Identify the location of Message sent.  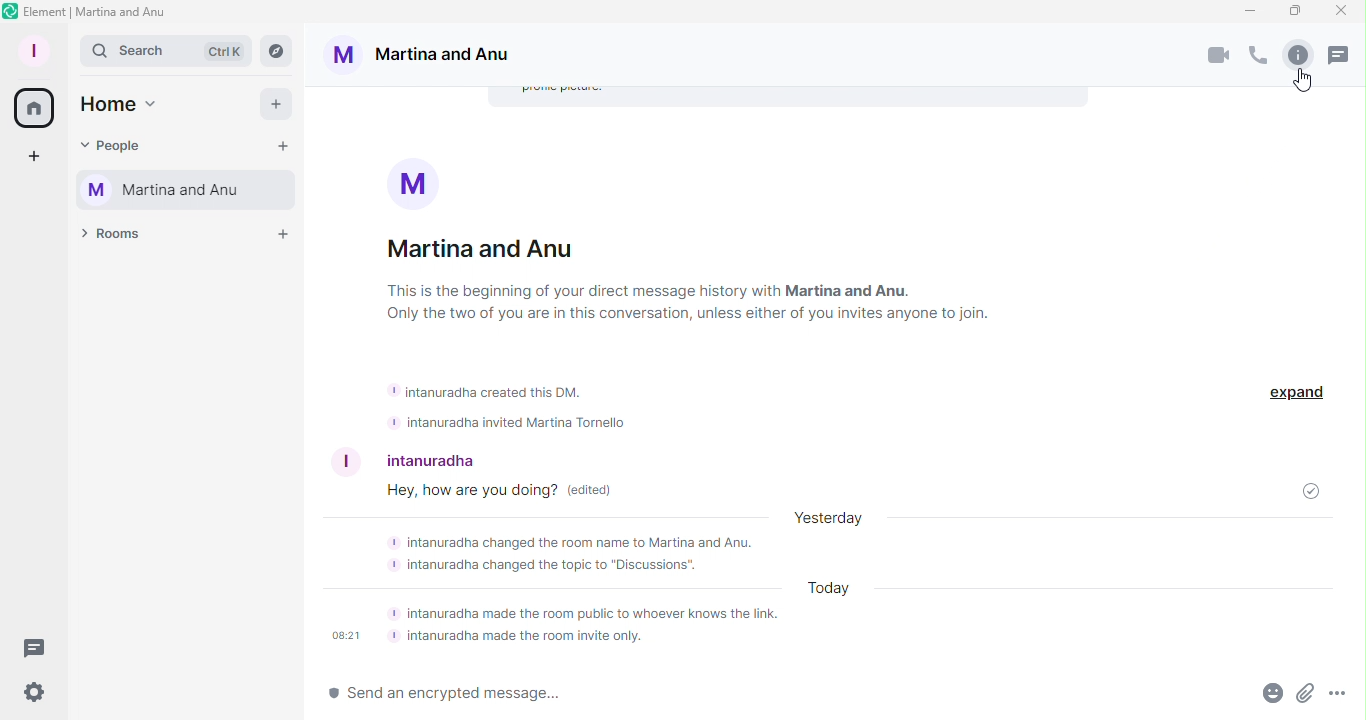
(1300, 487).